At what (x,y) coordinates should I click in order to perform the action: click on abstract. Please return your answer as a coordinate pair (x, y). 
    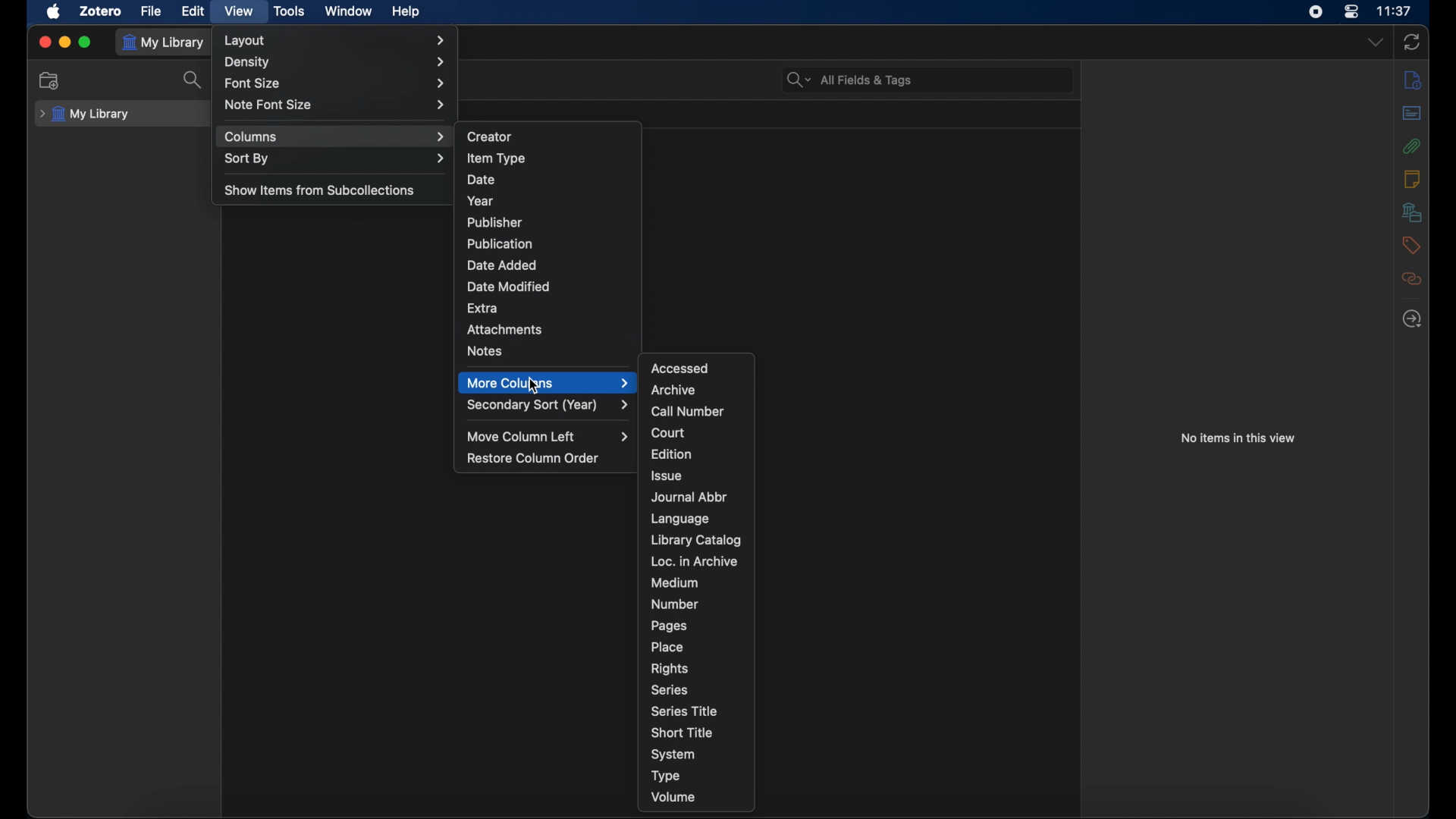
    Looking at the image, I should click on (1411, 112).